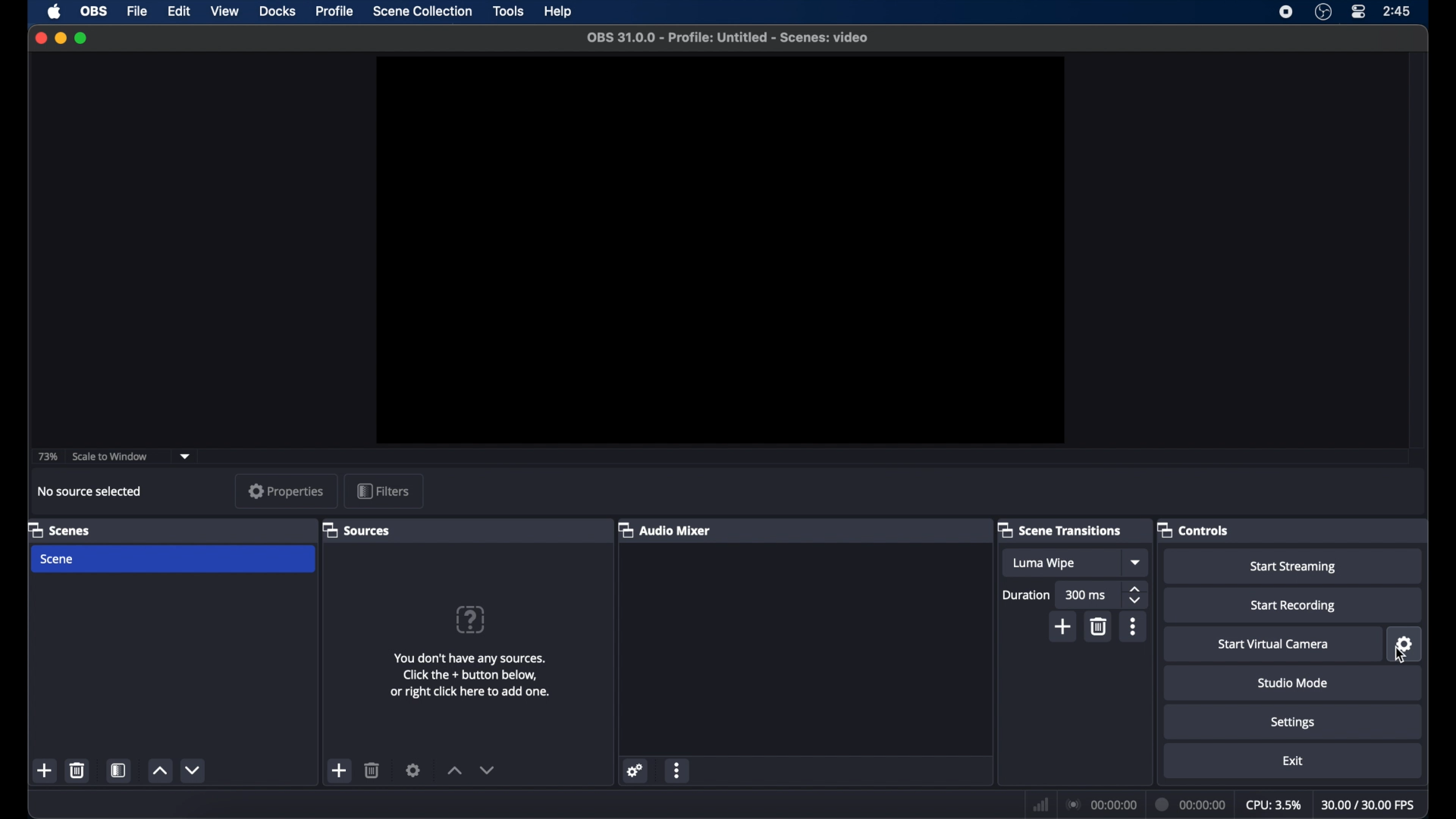 This screenshot has height=819, width=1456. I want to click on add, so click(1063, 626).